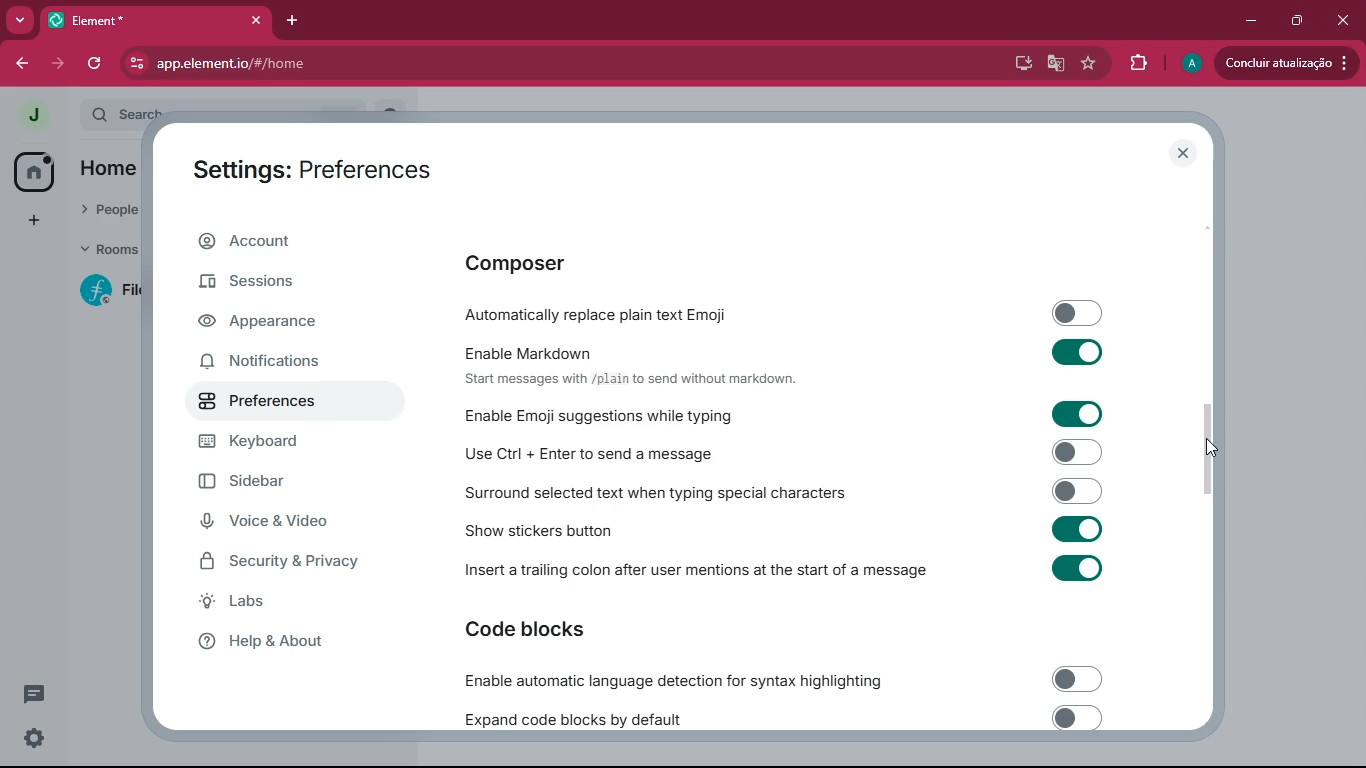 This screenshot has height=768, width=1366. I want to click on app.element.io/#/home, so click(349, 64).